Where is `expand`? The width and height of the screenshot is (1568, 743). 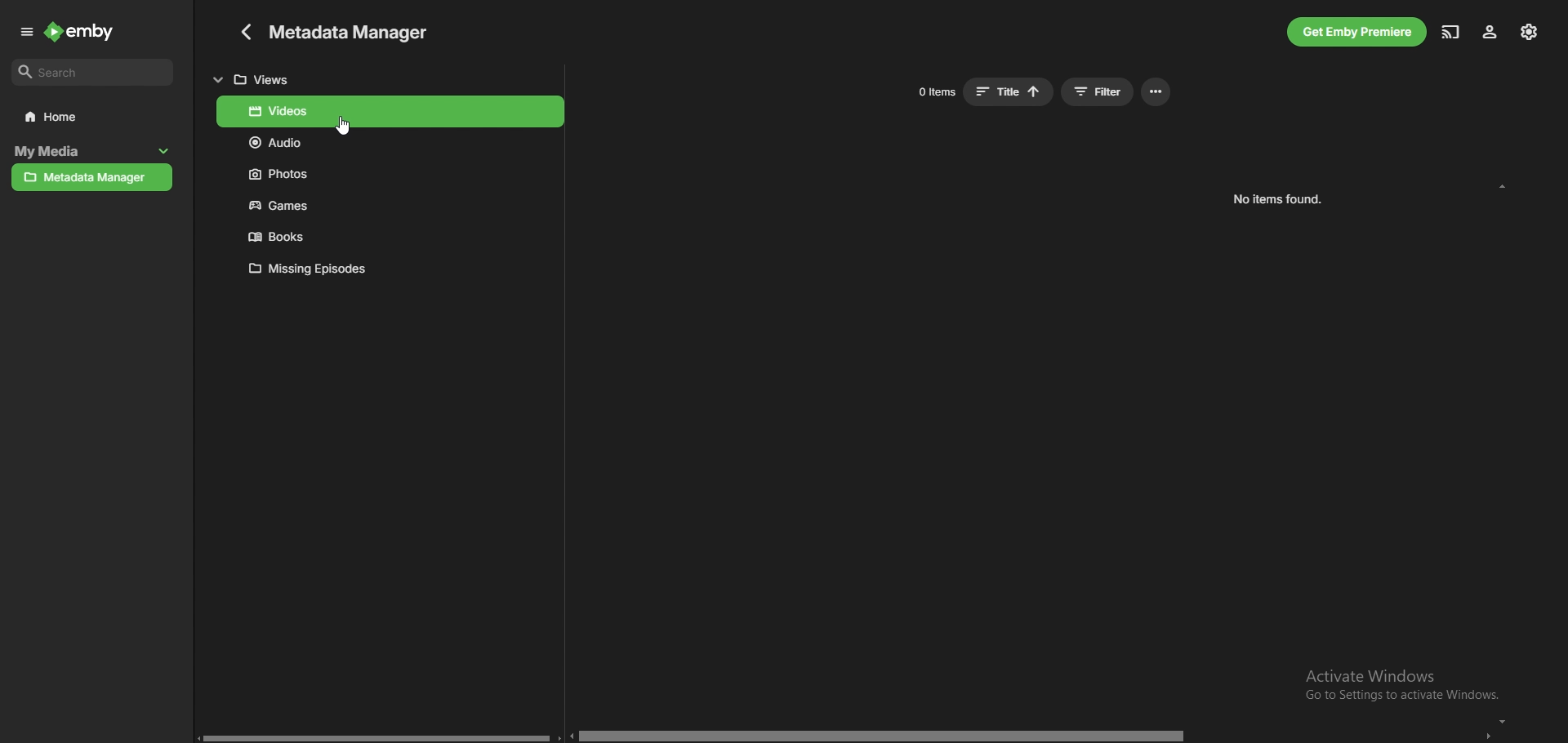 expand is located at coordinates (28, 33).